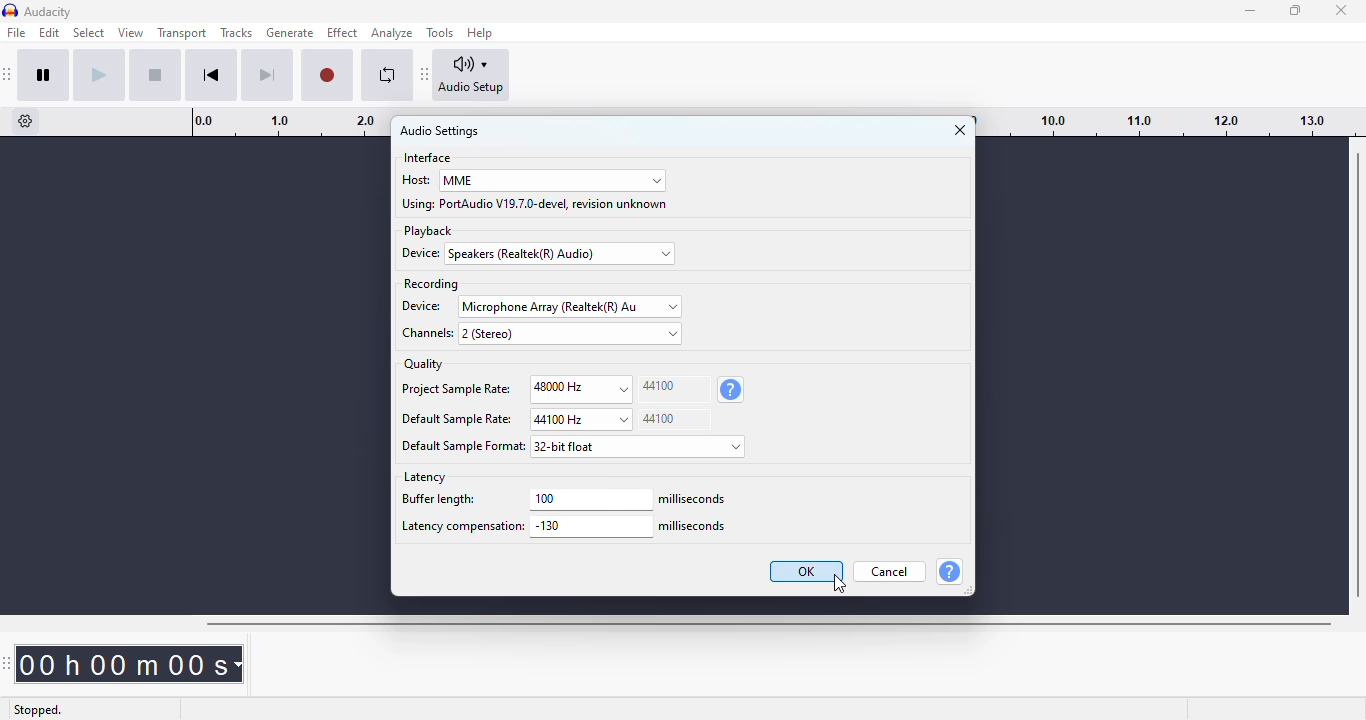 The height and width of the screenshot is (720, 1366). Describe the element at coordinates (26, 121) in the screenshot. I see `timeline options` at that location.